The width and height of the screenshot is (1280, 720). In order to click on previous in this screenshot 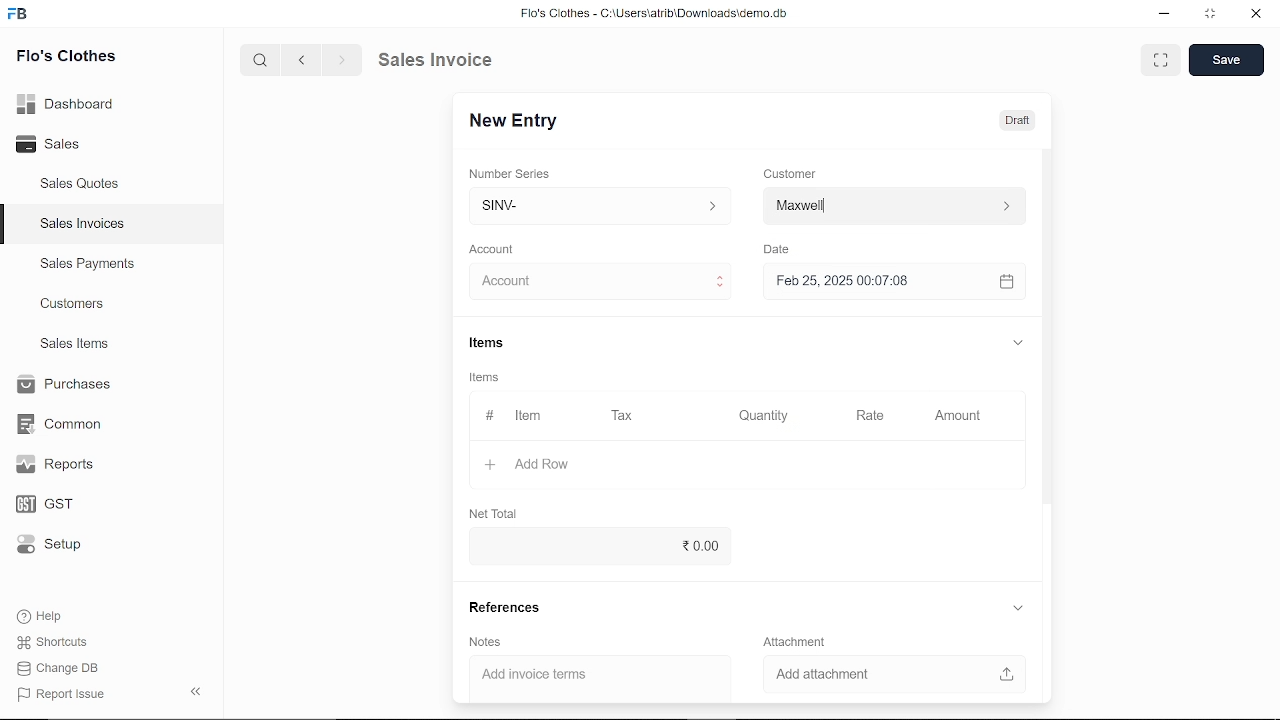, I will do `click(303, 60)`.